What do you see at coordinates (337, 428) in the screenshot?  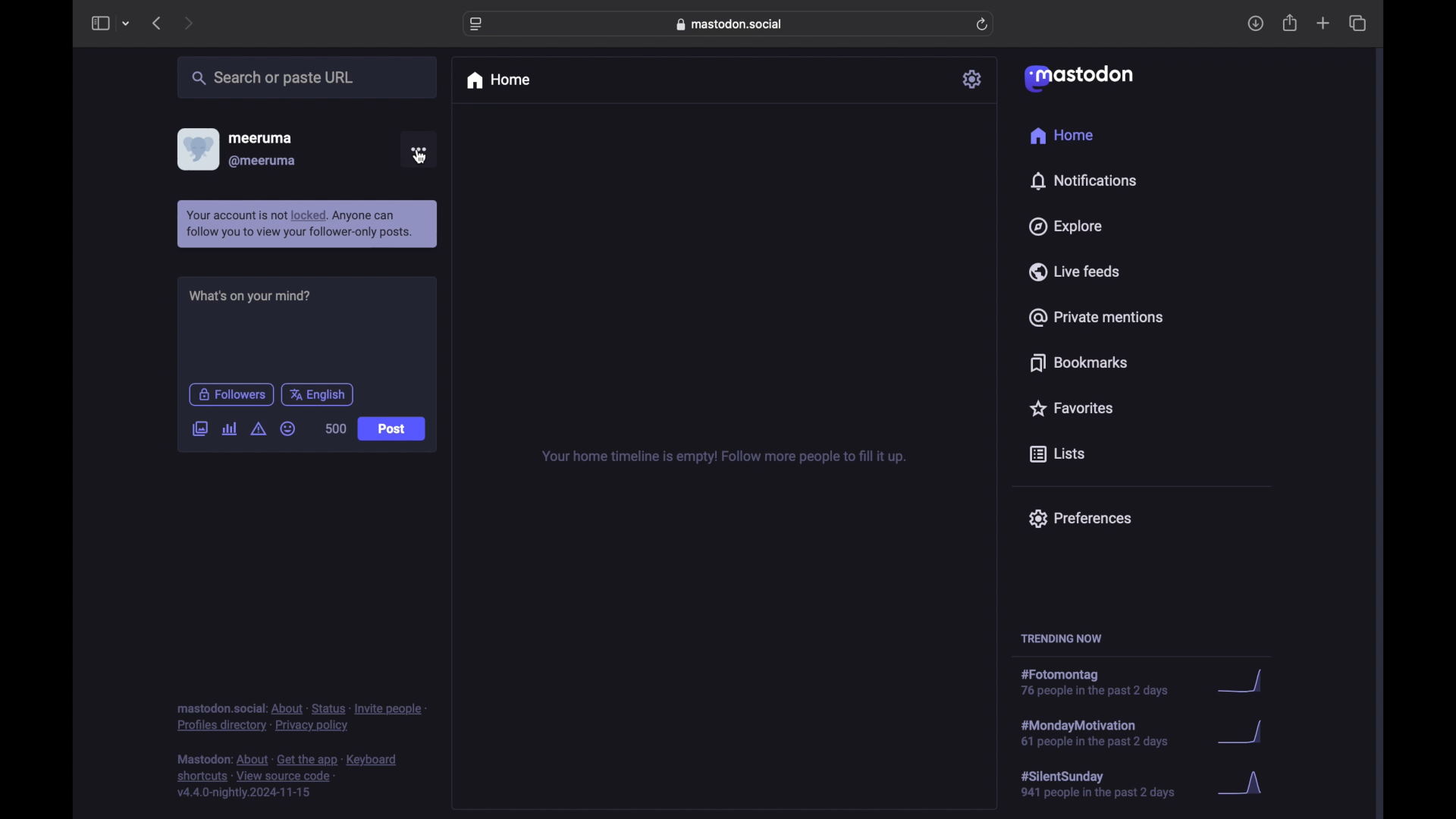 I see `word count` at bounding box center [337, 428].